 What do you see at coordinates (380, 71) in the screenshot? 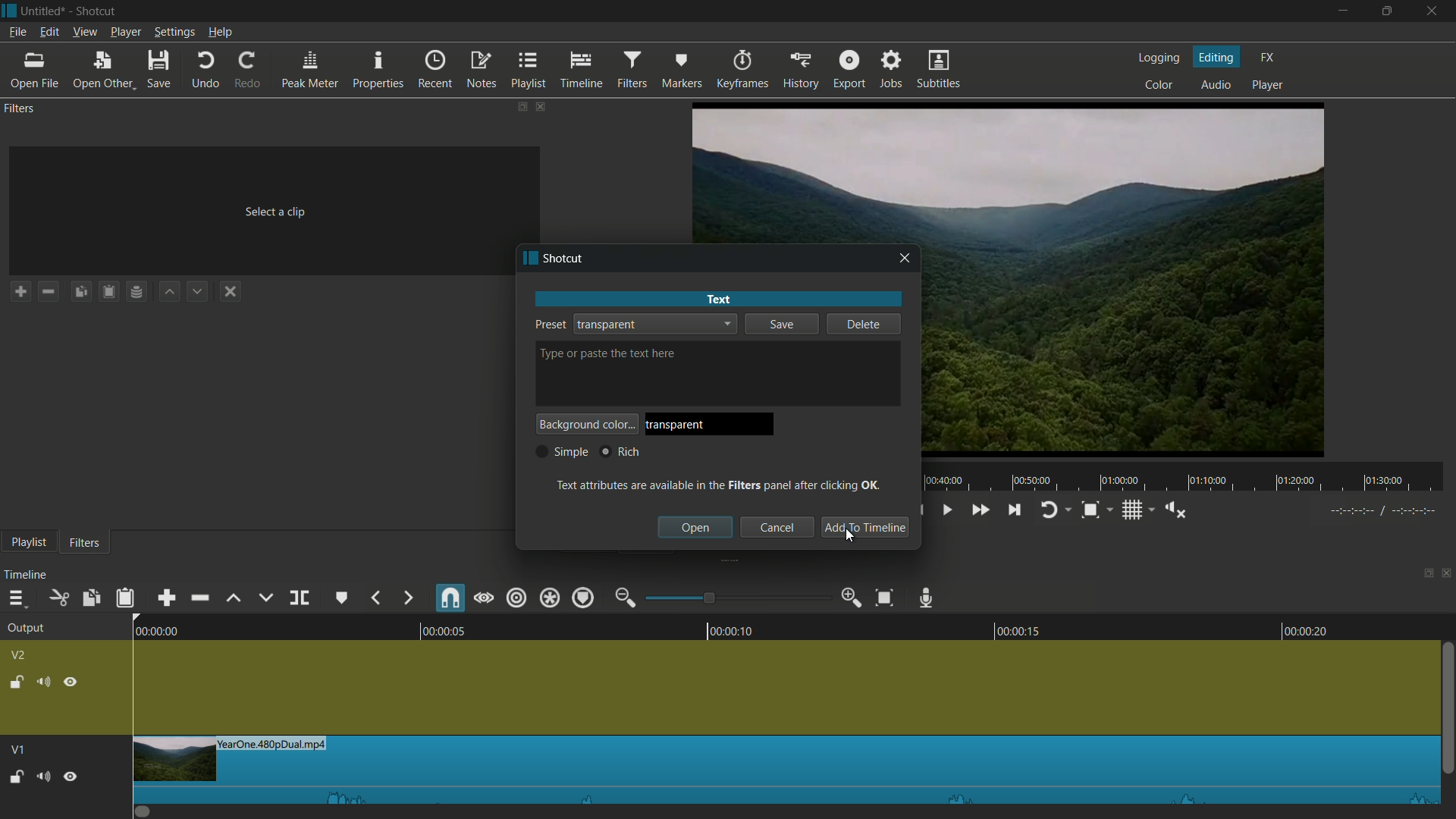
I see `properties` at bounding box center [380, 71].